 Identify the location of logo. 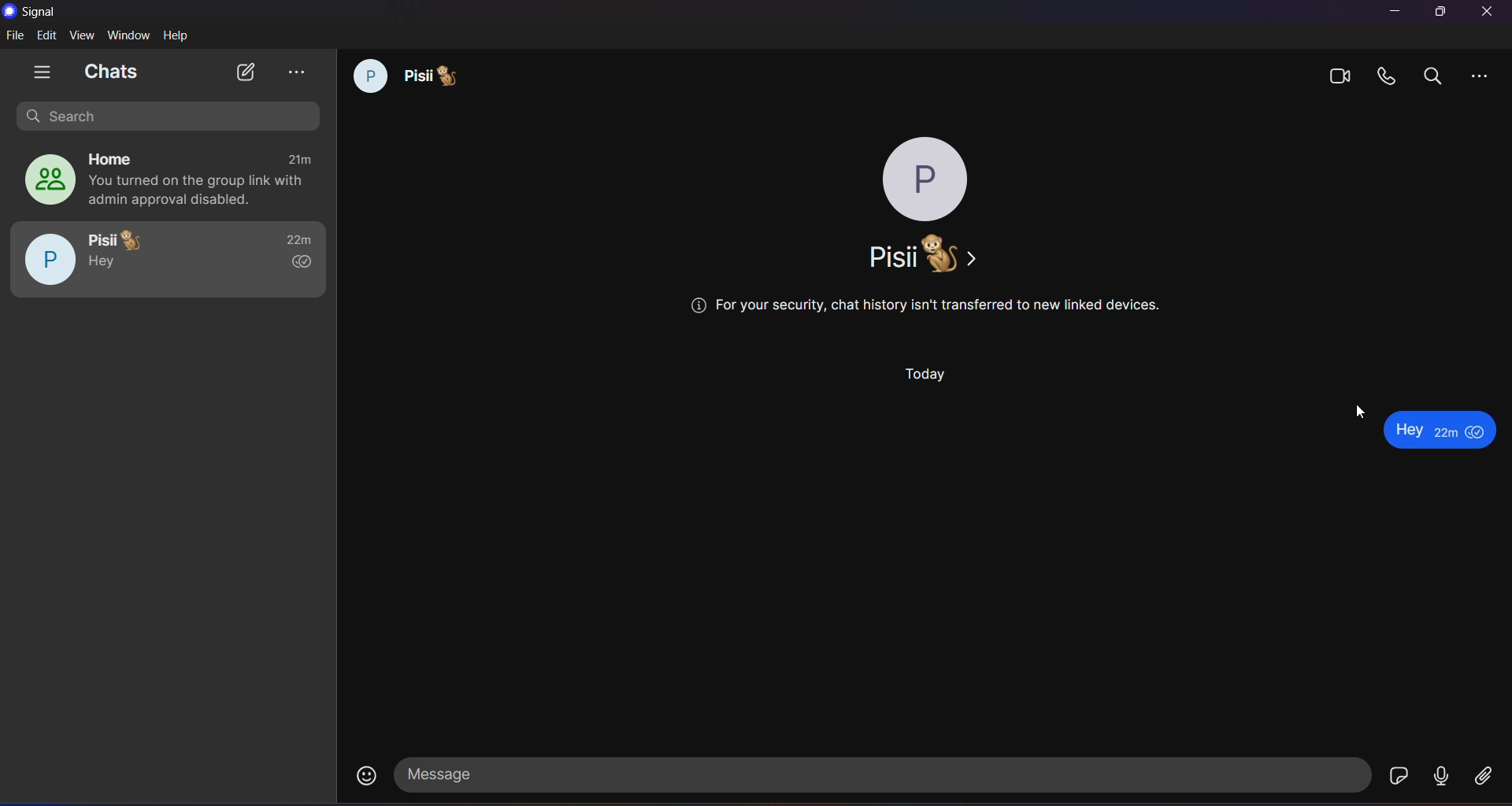
(11, 12).